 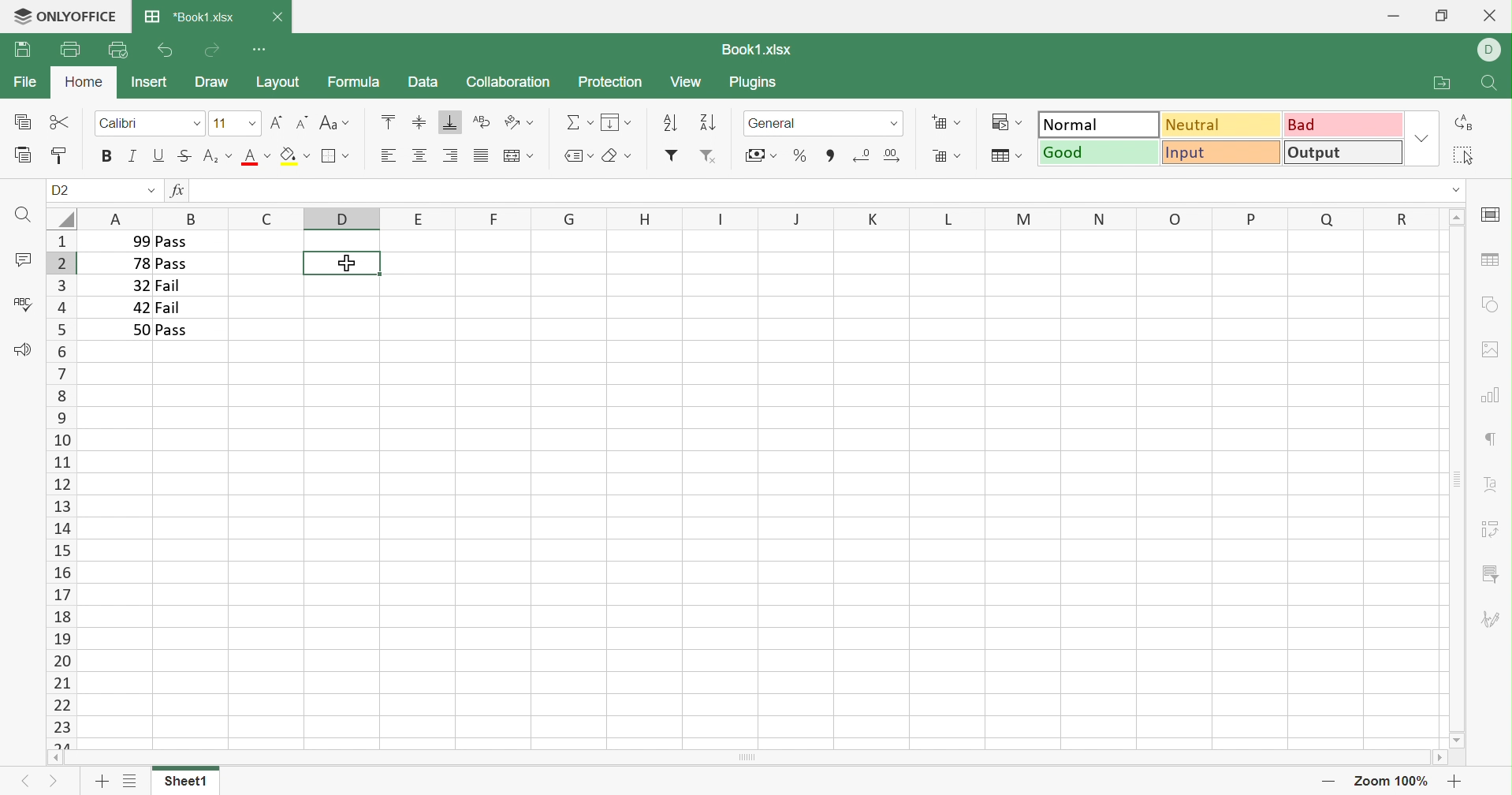 What do you see at coordinates (1493, 348) in the screenshot?
I see `Image settings` at bounding box center [1493, 348].